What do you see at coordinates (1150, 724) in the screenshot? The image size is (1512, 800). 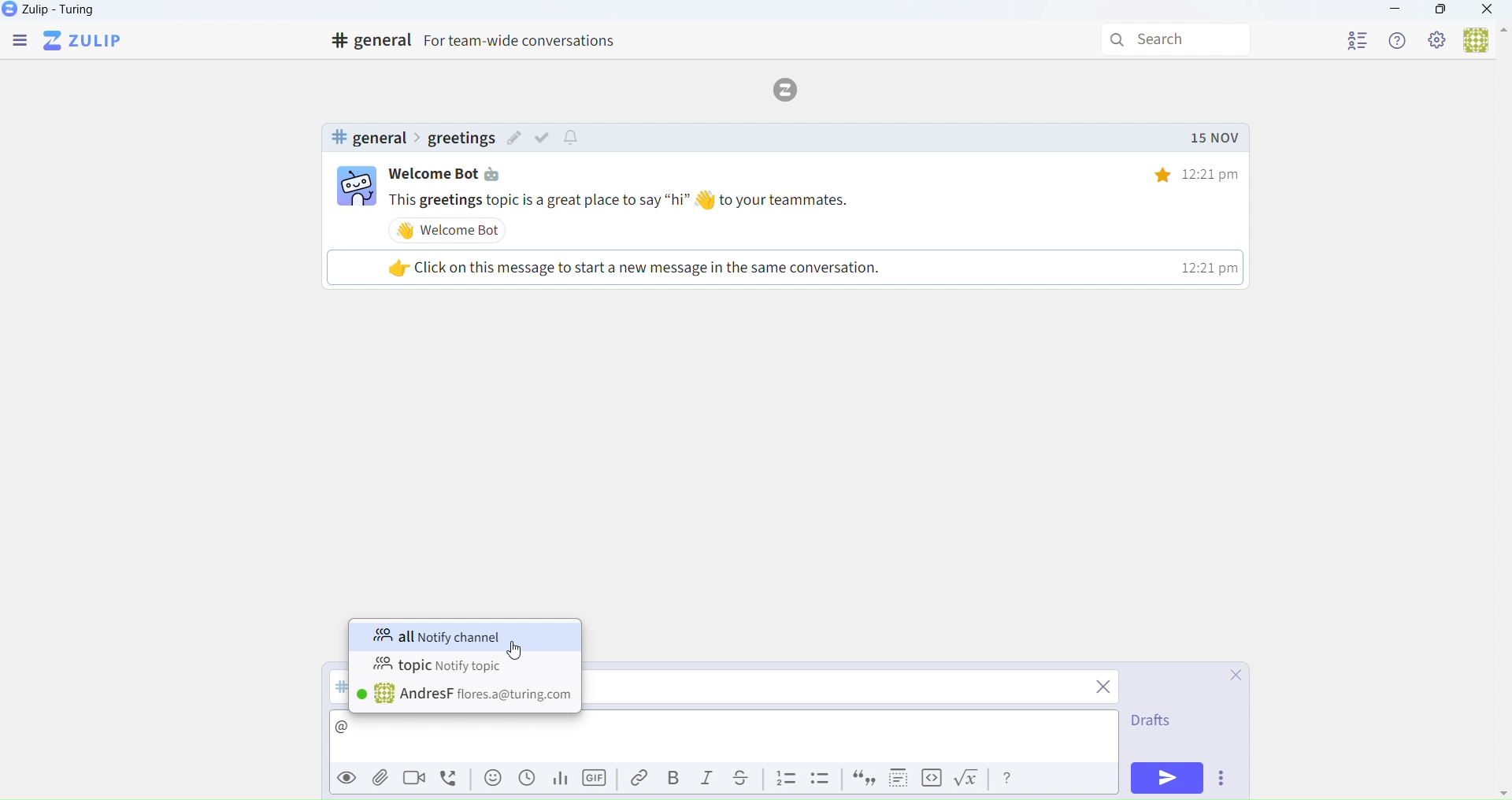 I see `Drafts` at bounding box center [1150, 724].